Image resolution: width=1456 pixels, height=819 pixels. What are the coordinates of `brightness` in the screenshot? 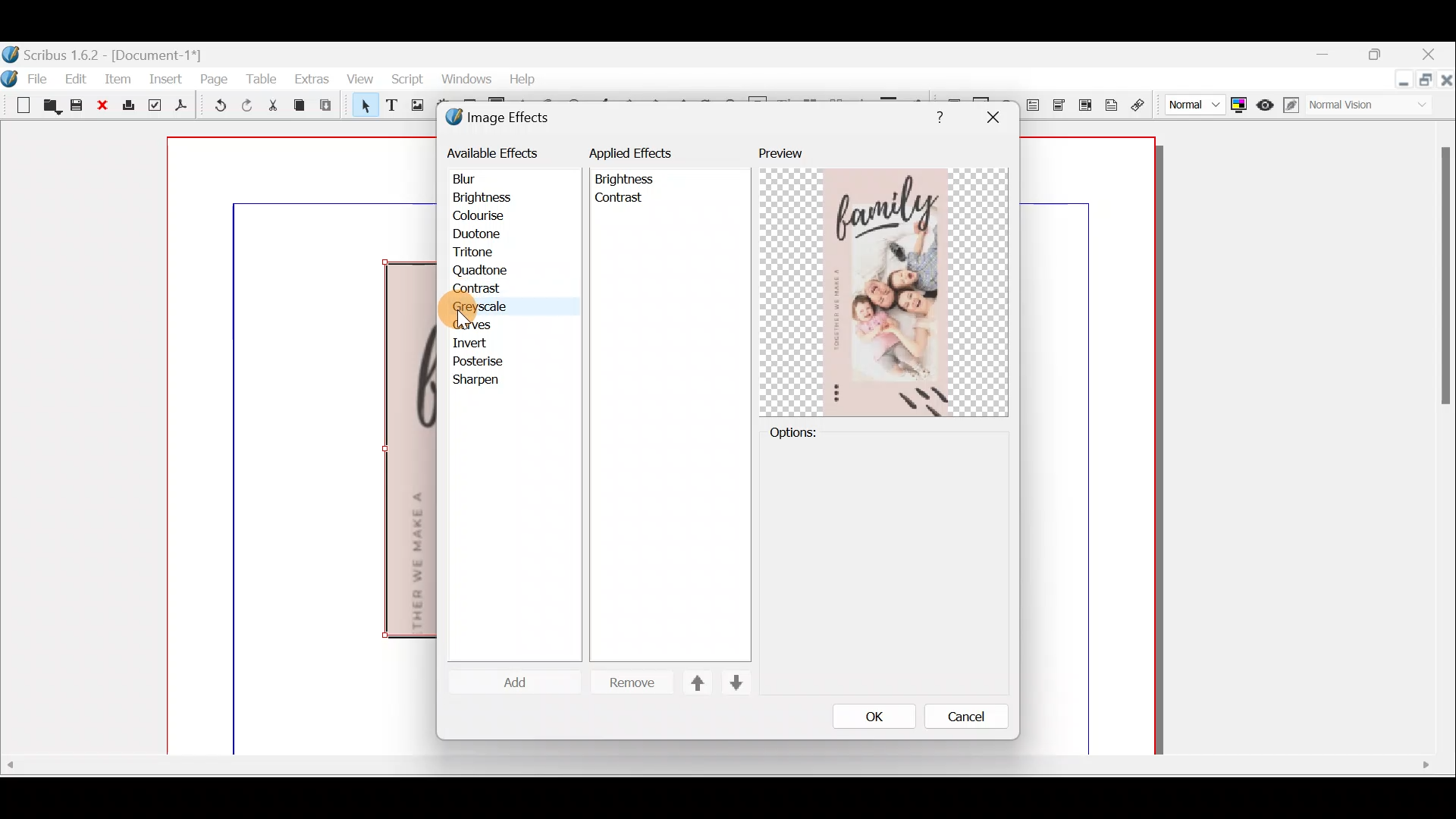 It's located at (488, 197).